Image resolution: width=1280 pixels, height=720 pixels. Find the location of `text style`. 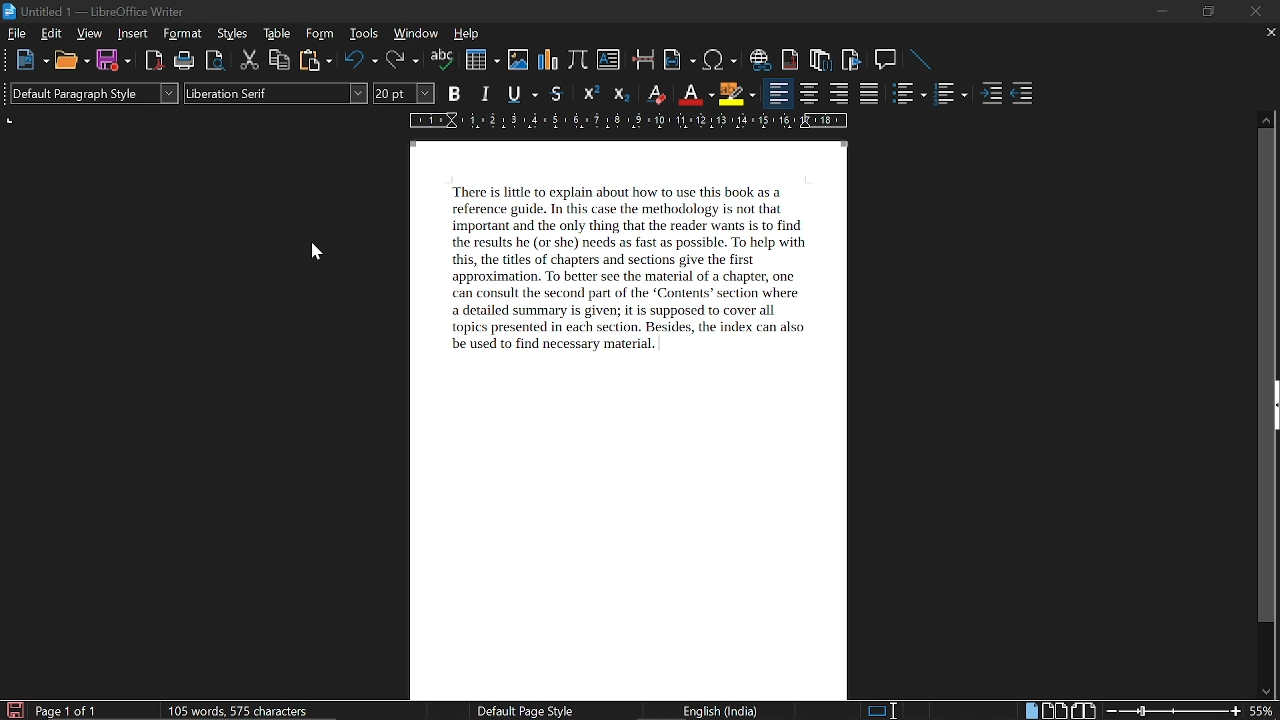

text style is located at coordinates (277, 93).